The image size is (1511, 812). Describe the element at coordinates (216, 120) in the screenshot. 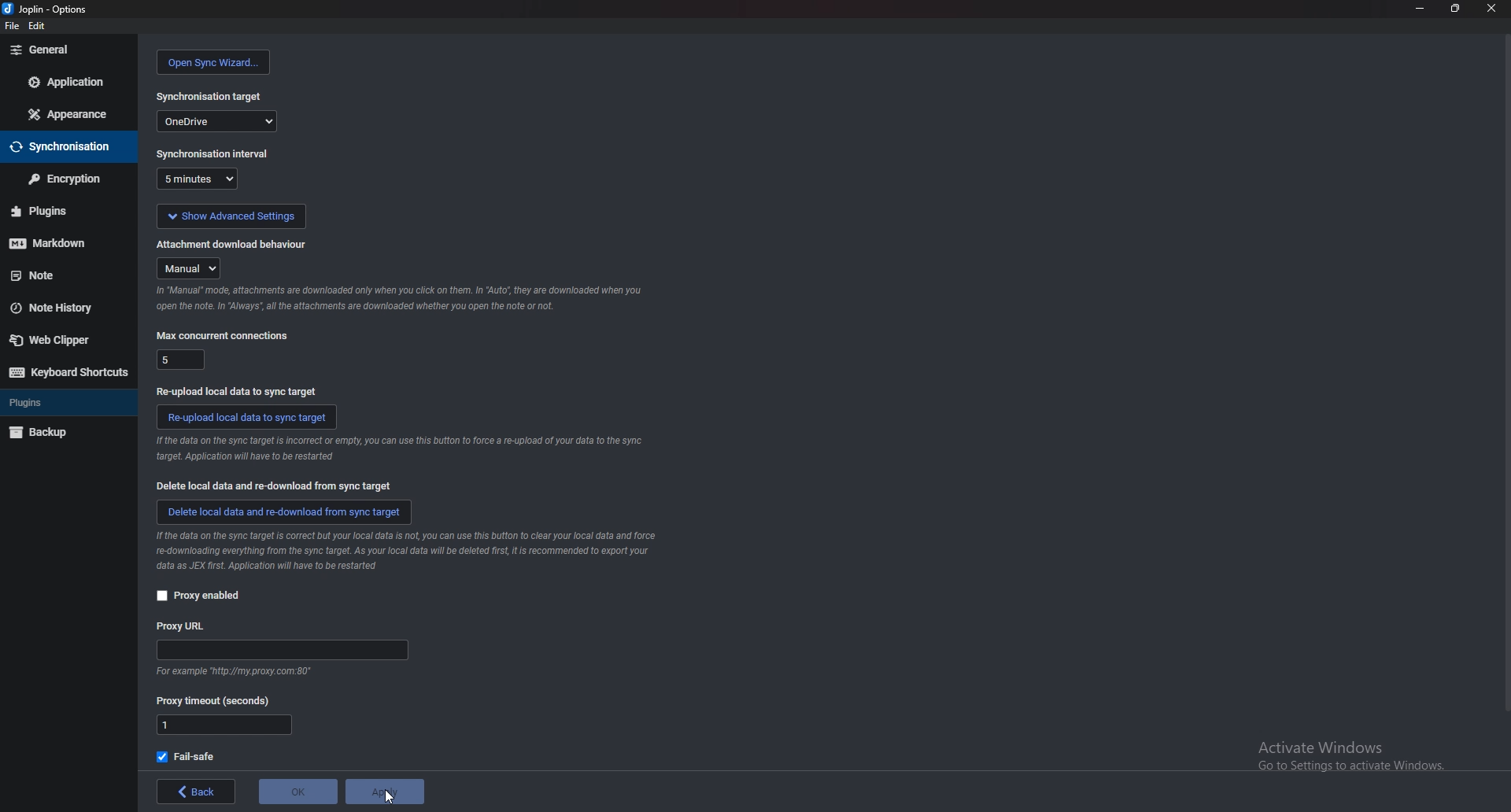

I see `one drive` at that location.